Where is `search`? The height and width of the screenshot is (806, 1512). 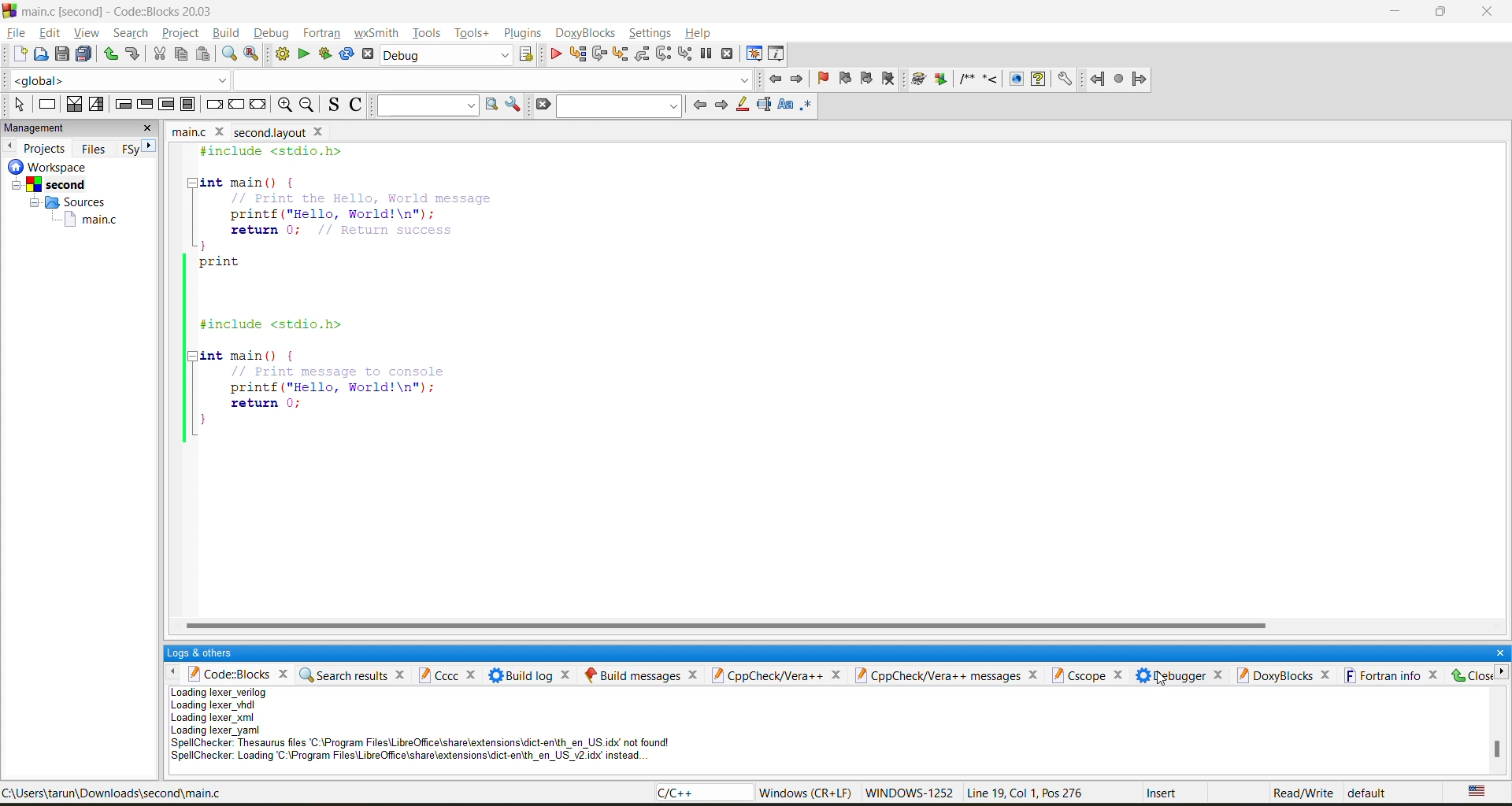
search is located at coordinates (619, 108).